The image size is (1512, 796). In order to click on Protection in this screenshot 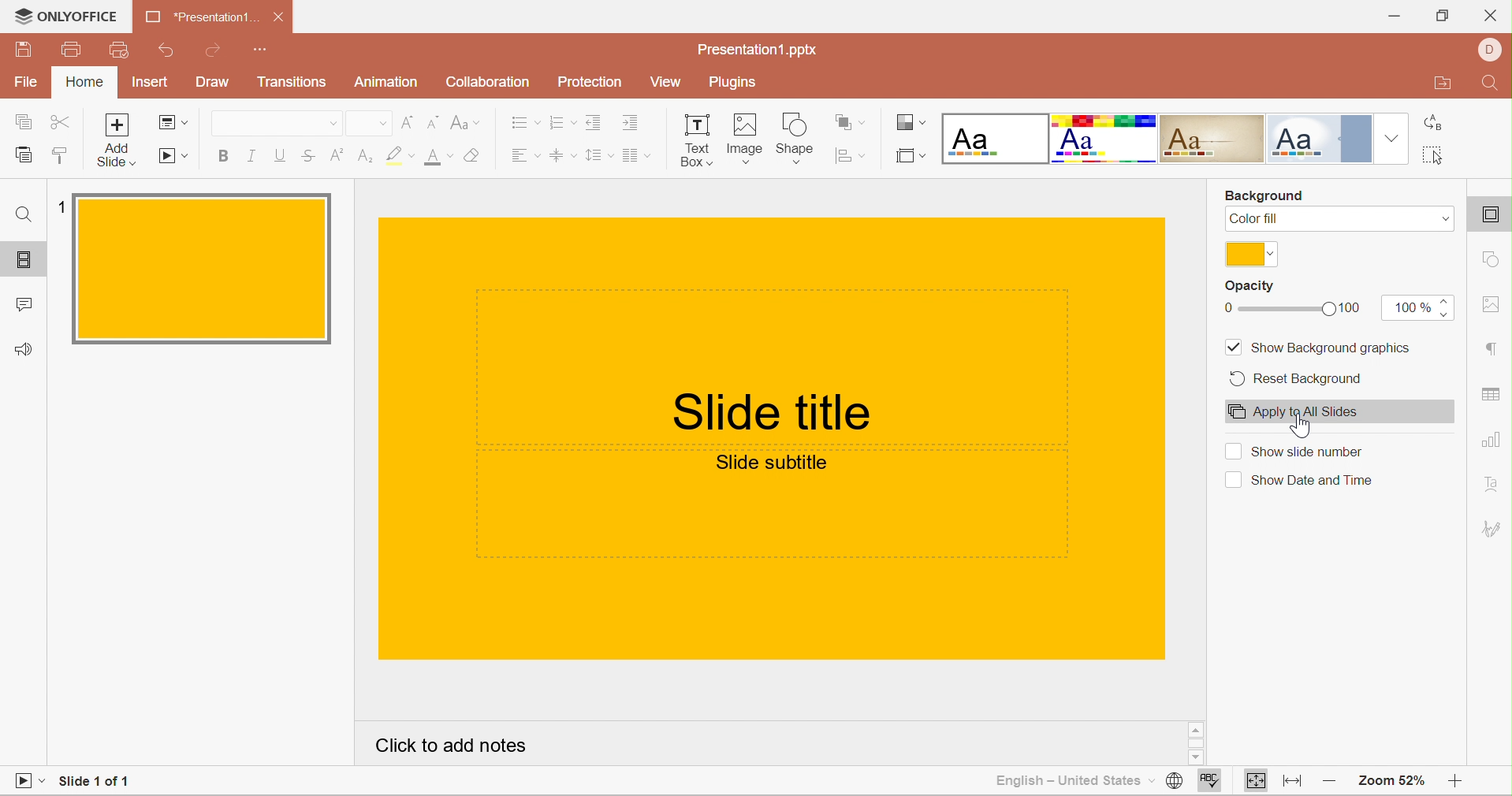, I will do `click(592, 84)`.